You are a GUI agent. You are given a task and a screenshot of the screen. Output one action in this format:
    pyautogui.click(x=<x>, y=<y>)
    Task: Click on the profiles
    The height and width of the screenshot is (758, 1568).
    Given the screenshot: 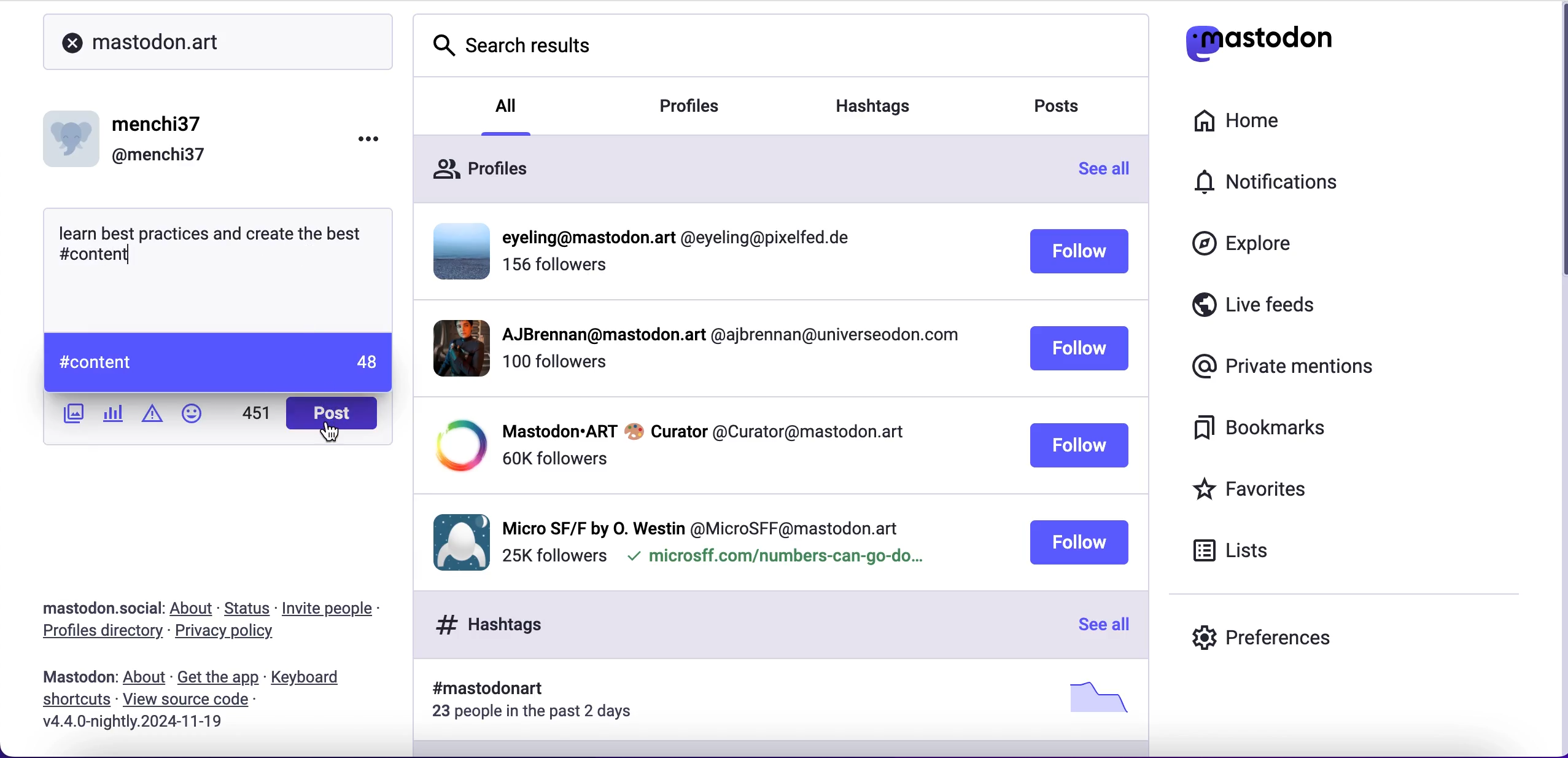 What is the action you would take?
    pyautogui.click(x=708, y=107)
    